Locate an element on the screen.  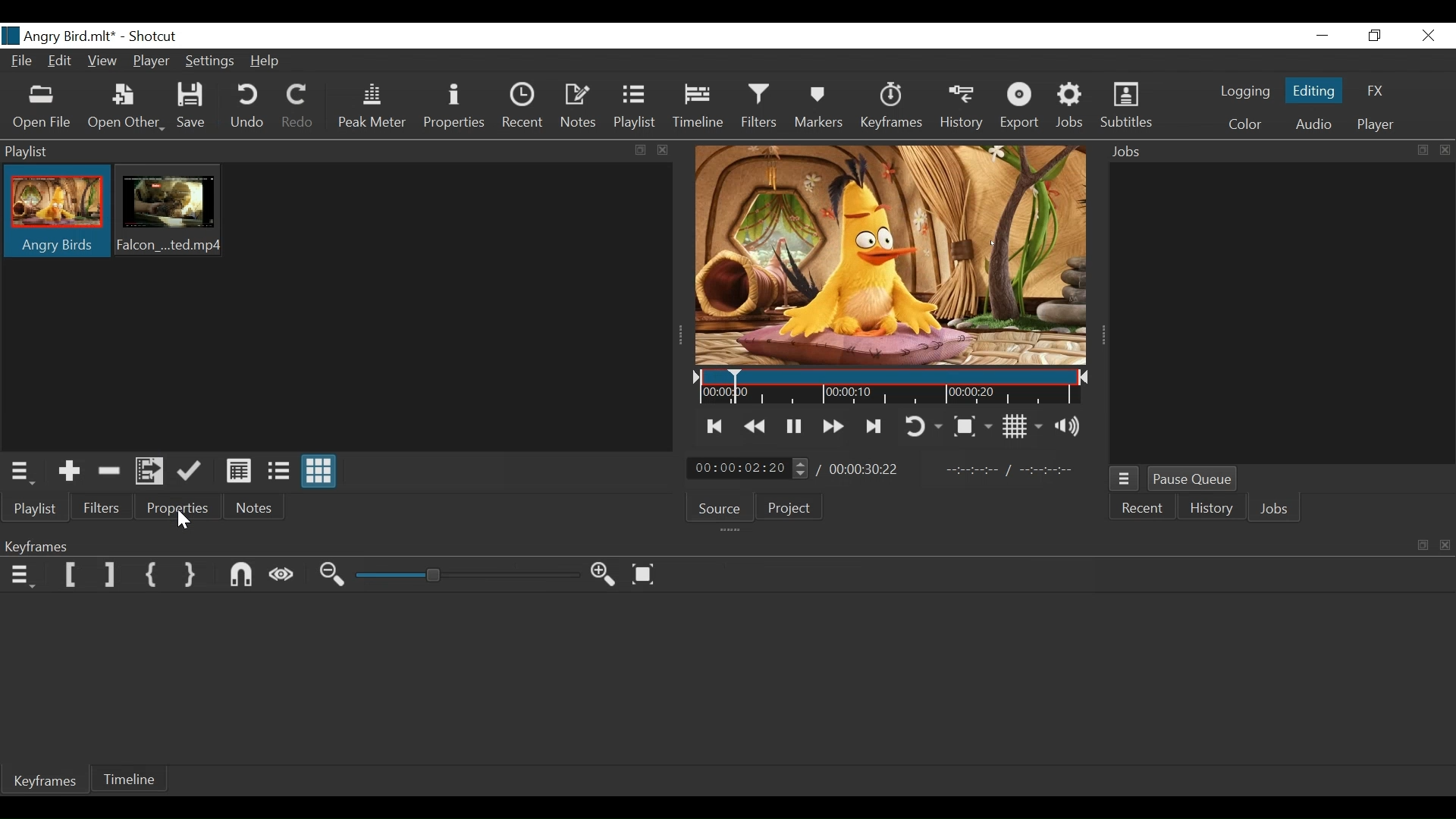
Set Filter last is located at coordinates (110, 576).